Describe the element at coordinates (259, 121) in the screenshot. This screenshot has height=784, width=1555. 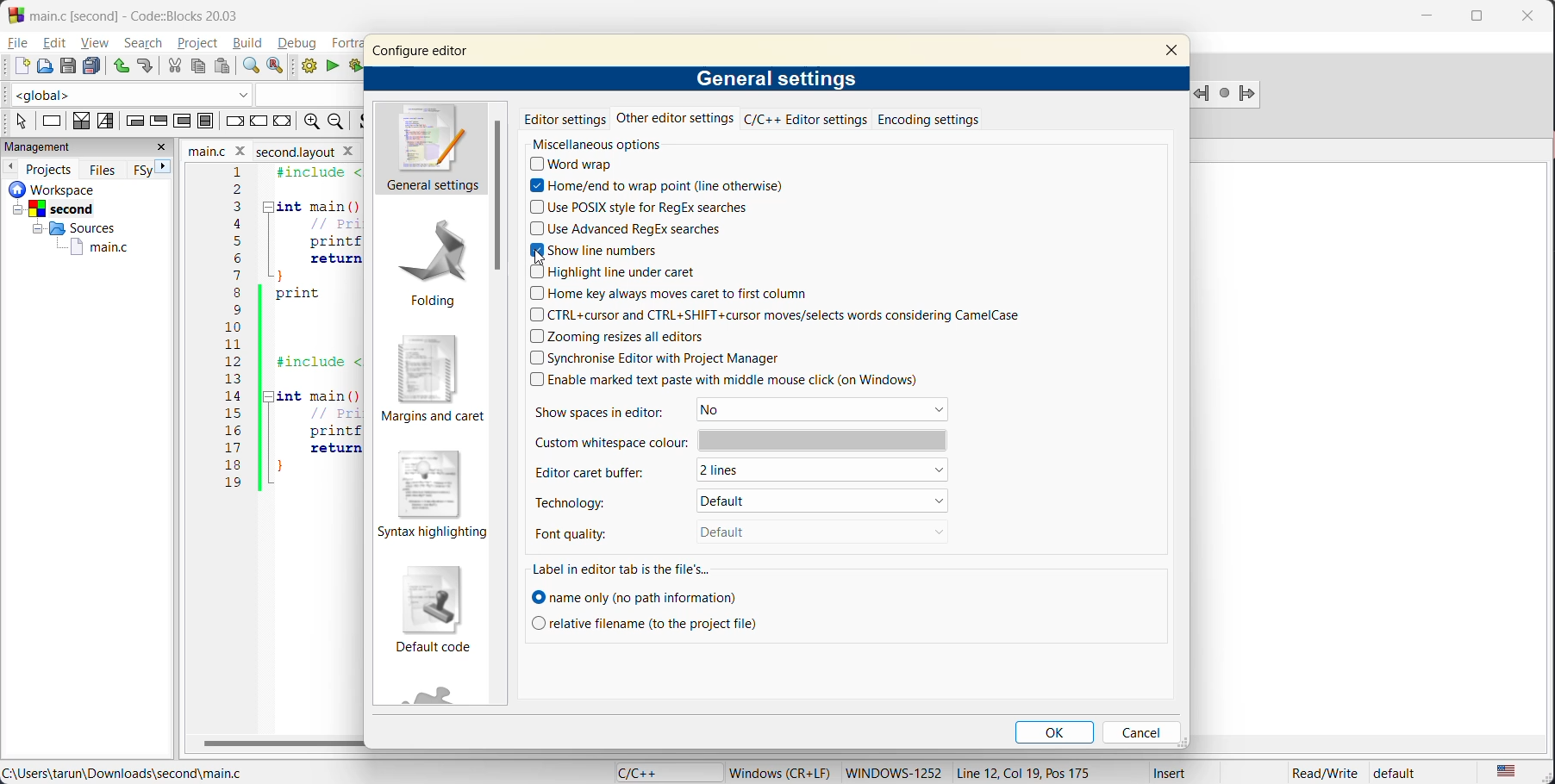
I see `continue instruction` at that location.